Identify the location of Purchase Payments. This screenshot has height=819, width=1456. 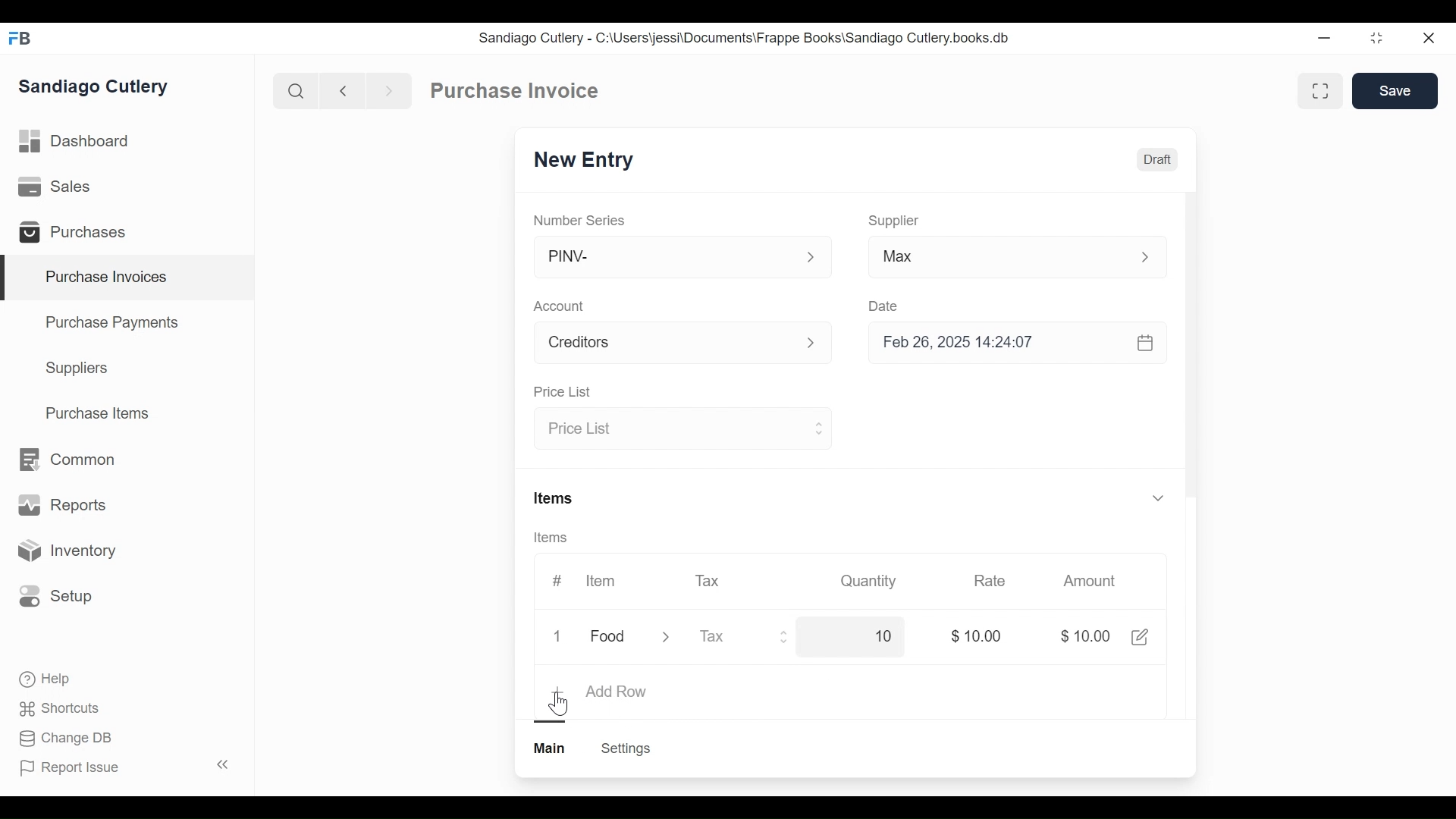
(115, 325).